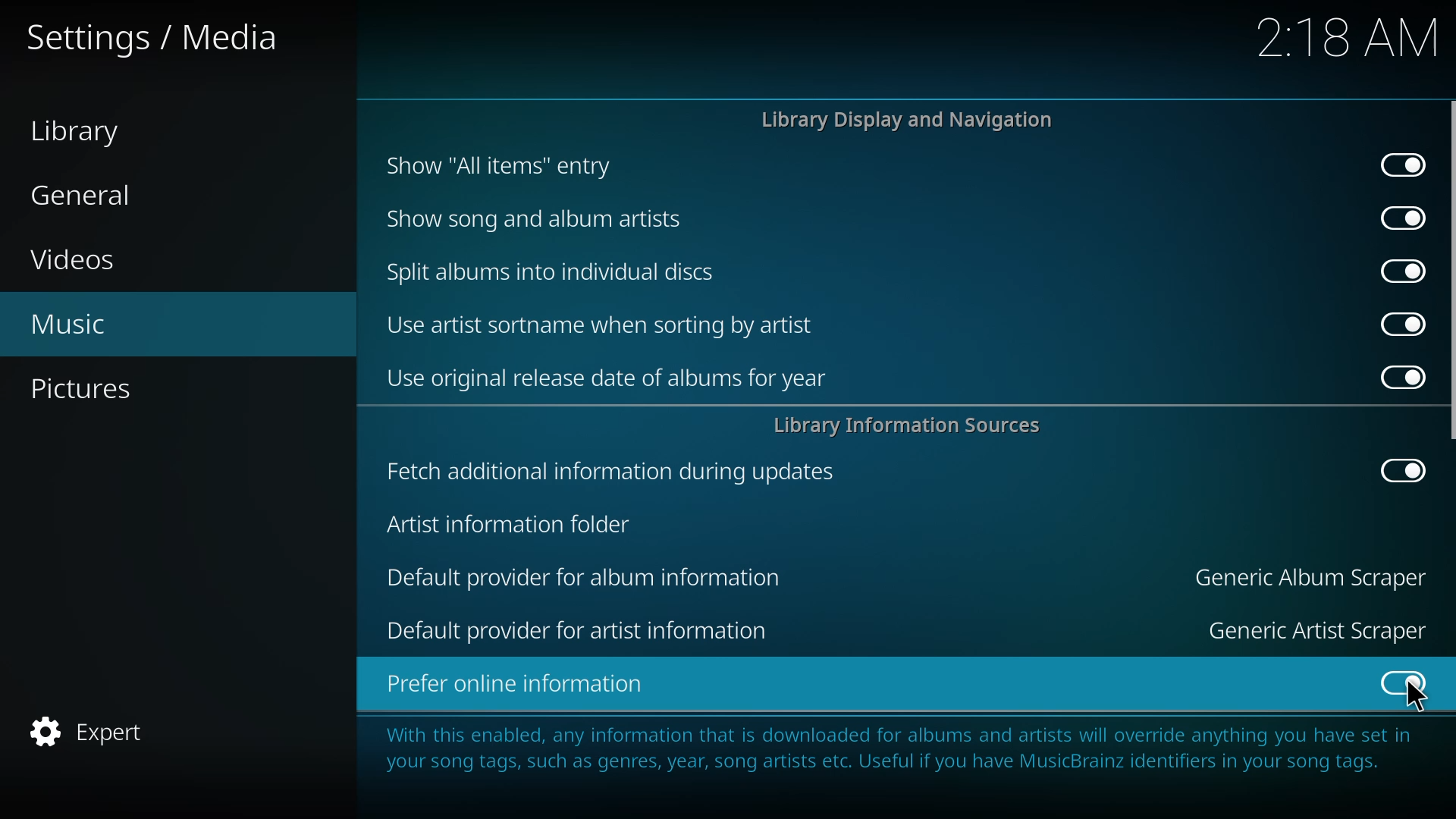 The image size is (1456, 819). What do you see at coordinates (1395, 324) in the screenshot?
I see `enabled` at bounding box center [1395, 324].